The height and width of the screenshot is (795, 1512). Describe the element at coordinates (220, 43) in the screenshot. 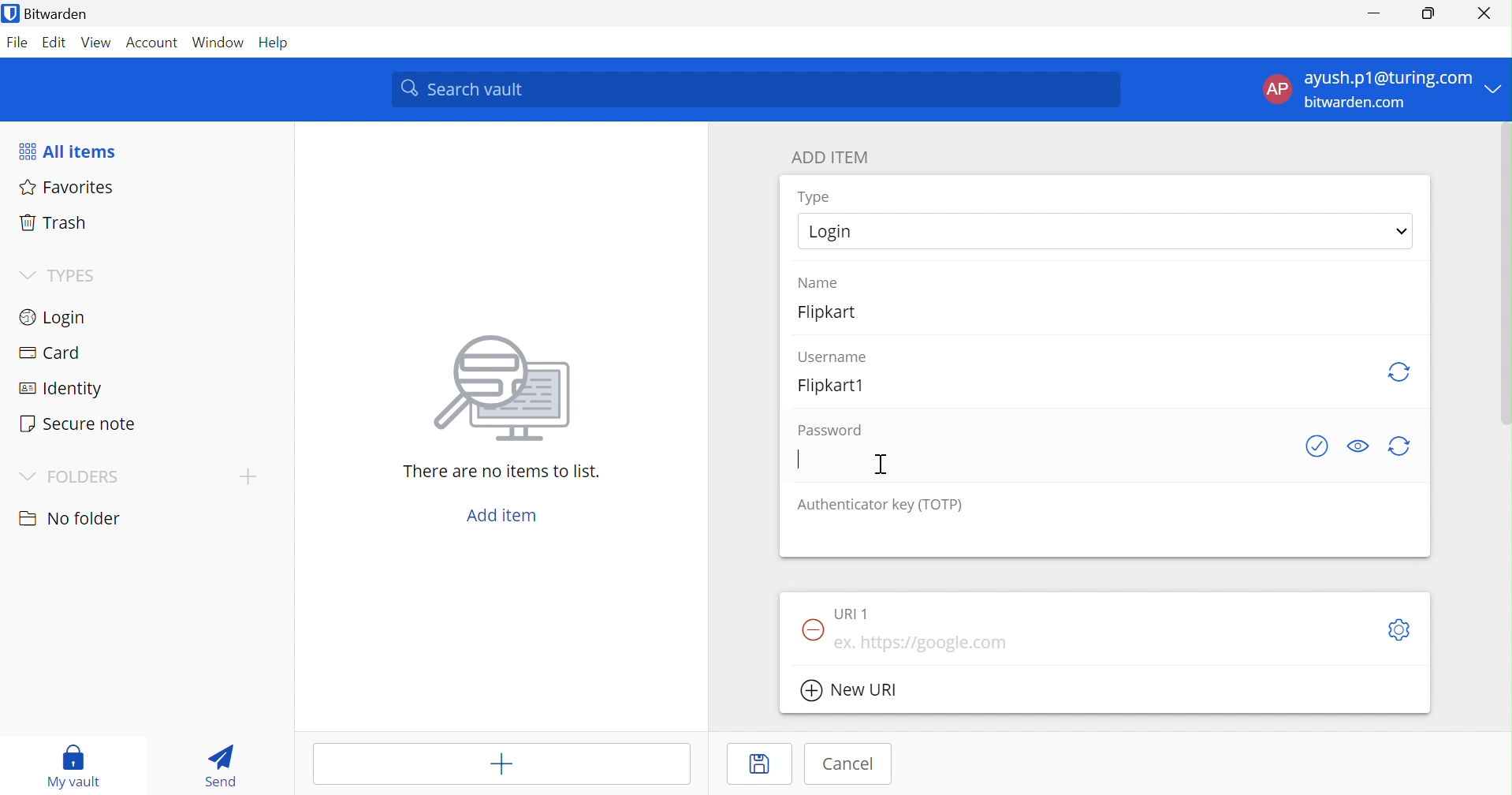

I see `Windows` at that location.